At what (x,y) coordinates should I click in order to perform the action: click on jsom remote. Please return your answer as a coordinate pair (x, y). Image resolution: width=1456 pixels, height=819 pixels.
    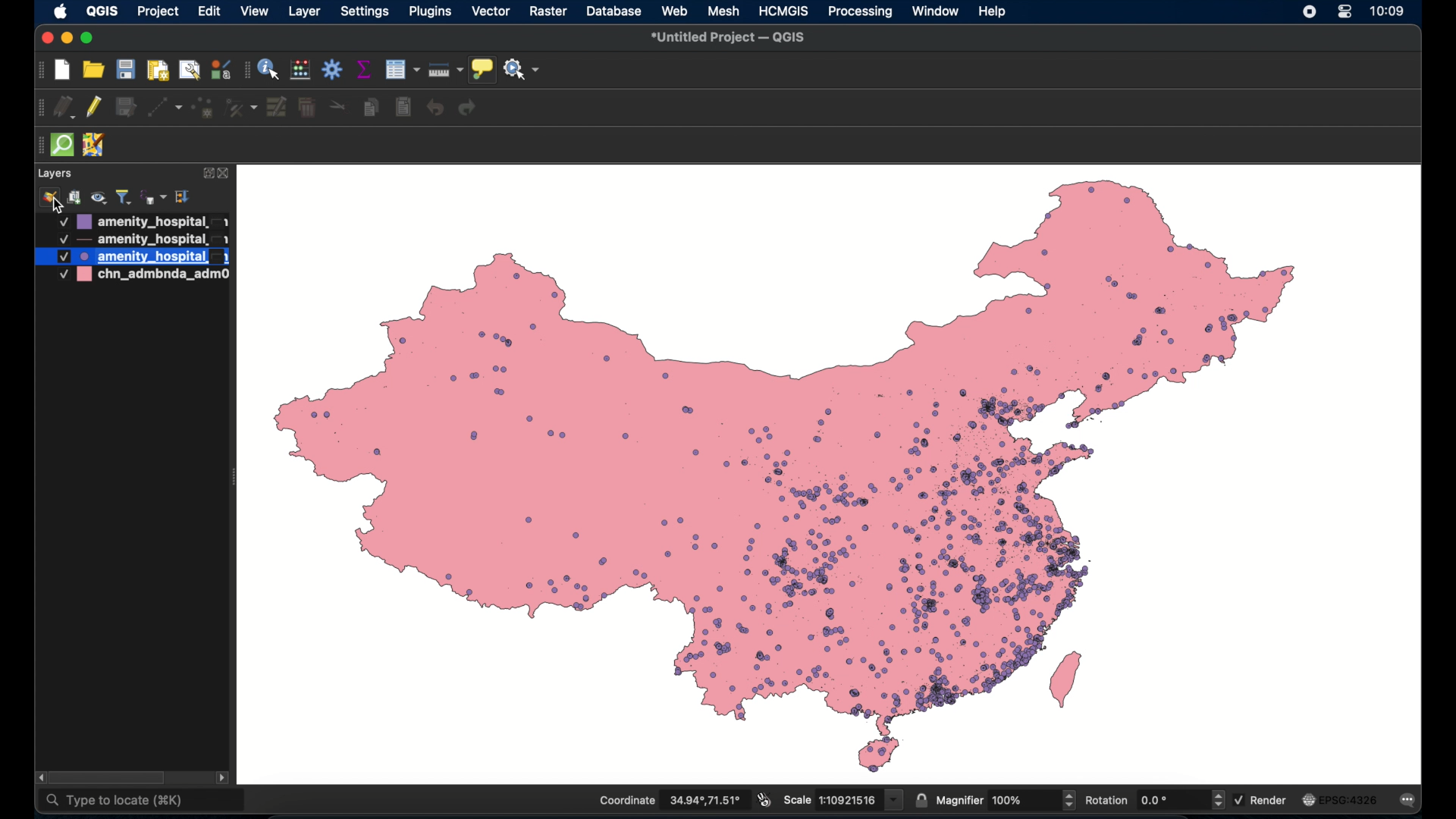
    Looking at the image, I should click on (96, 146).